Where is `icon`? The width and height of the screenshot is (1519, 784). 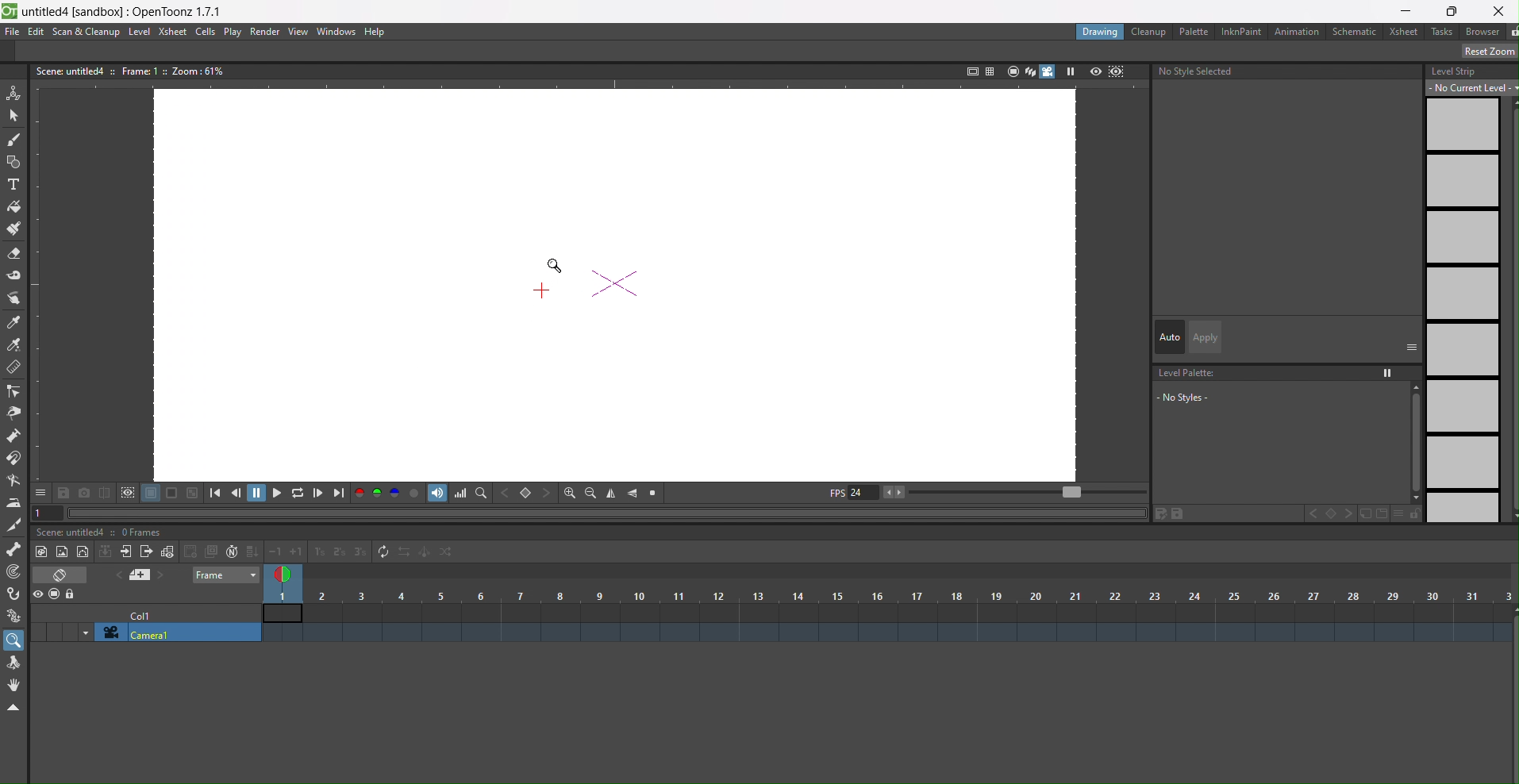 icon is located at coordinates (129, 494).